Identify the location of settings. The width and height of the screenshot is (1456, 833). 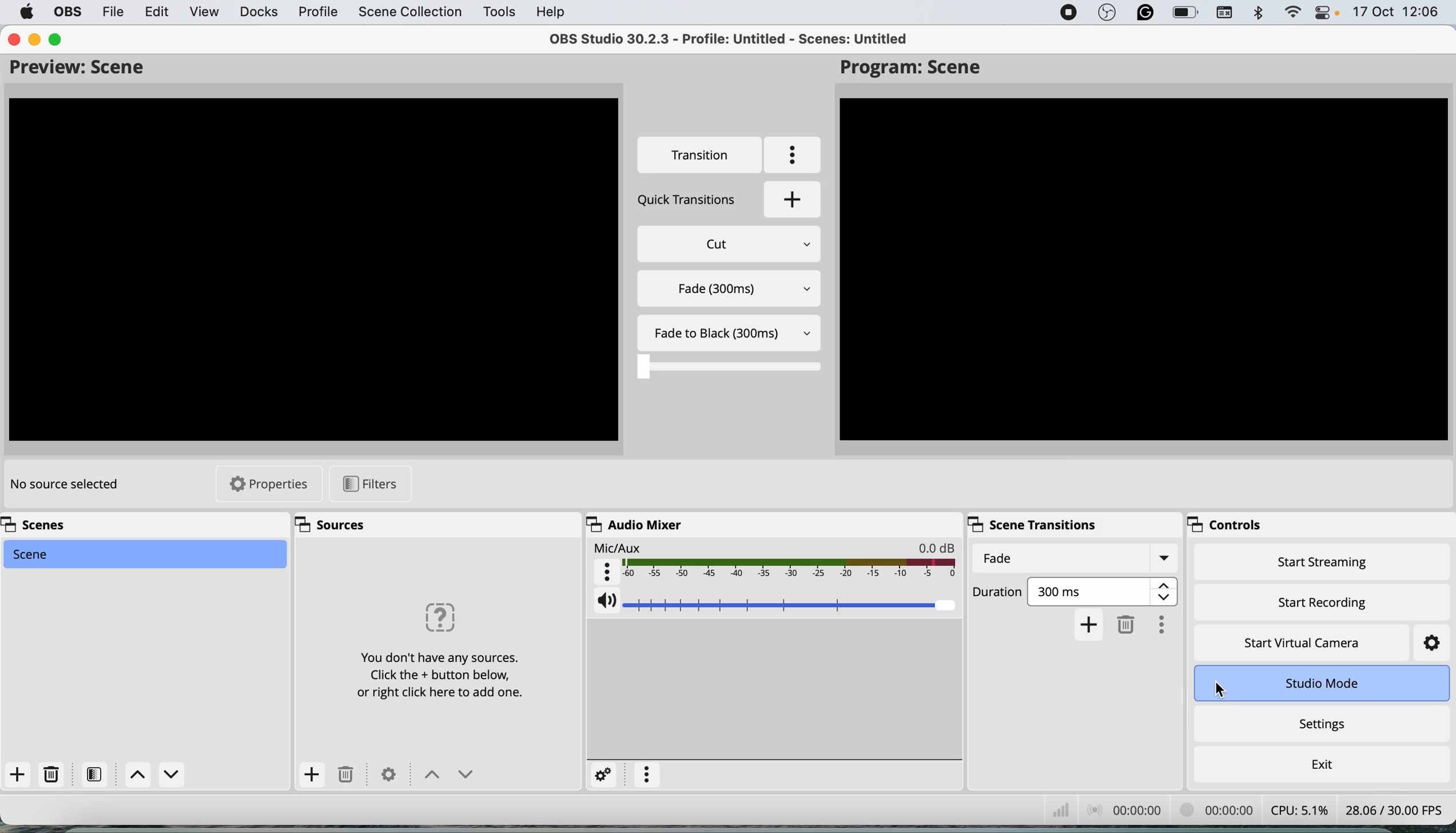
(604, 775).